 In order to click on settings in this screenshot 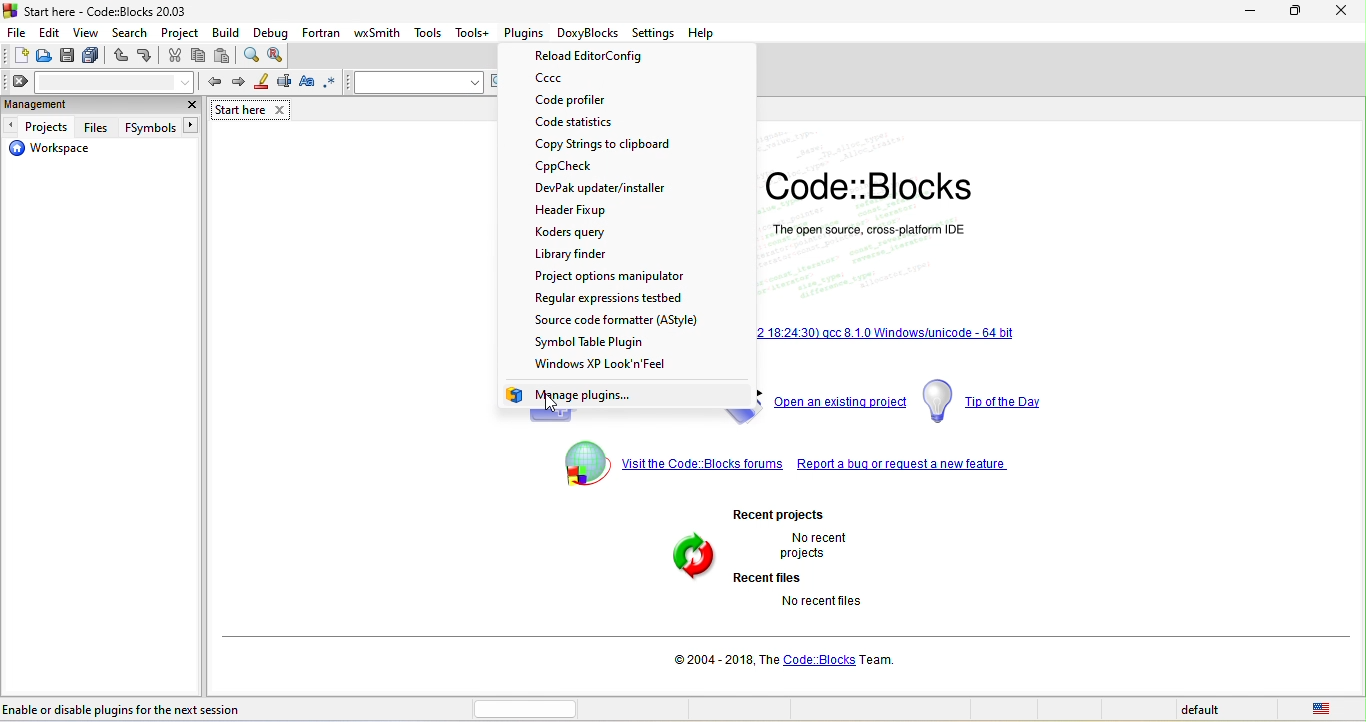, I will do `click(654, 34)`.